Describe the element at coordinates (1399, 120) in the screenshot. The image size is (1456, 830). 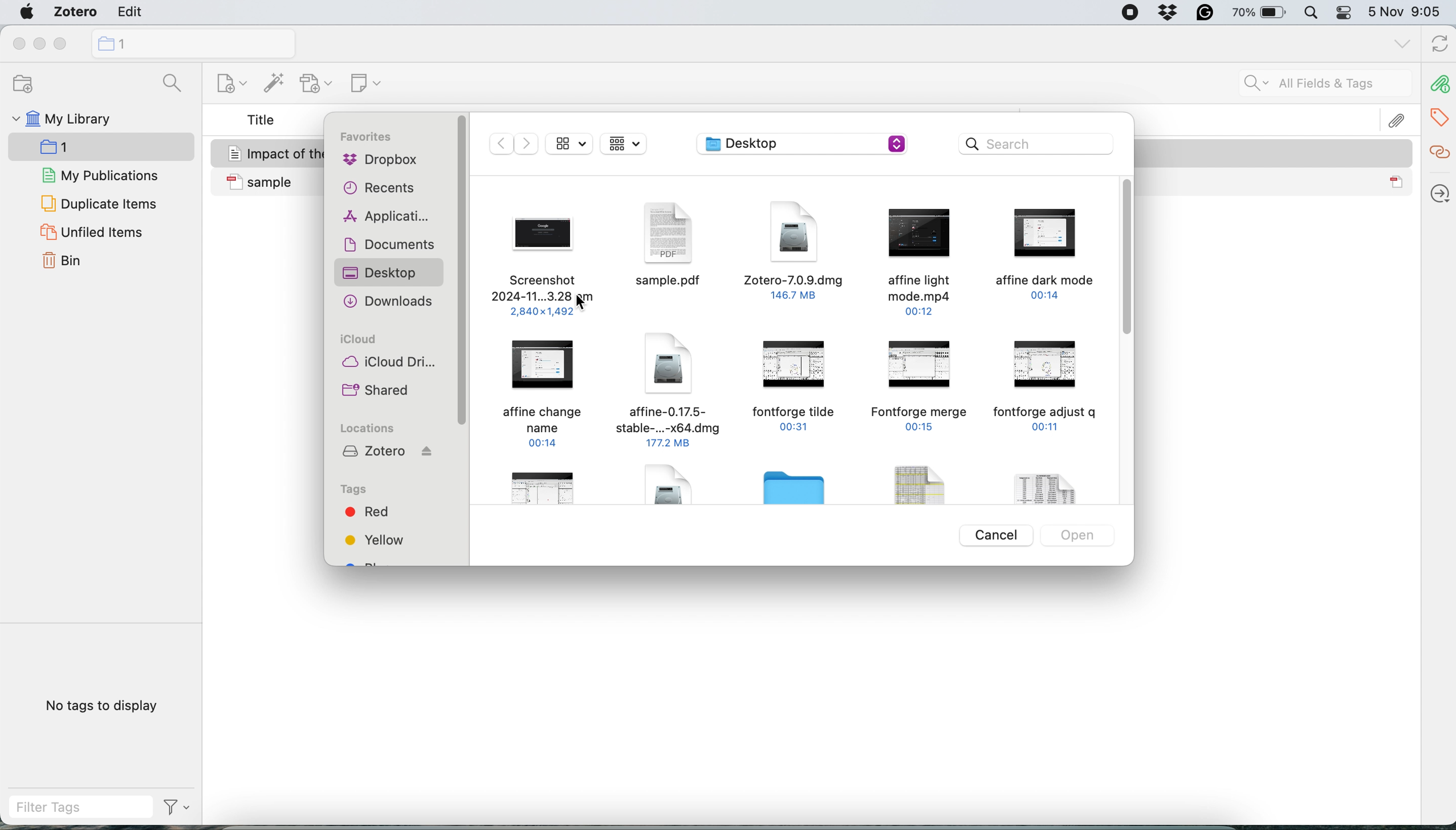
I see `attachement` at that location.